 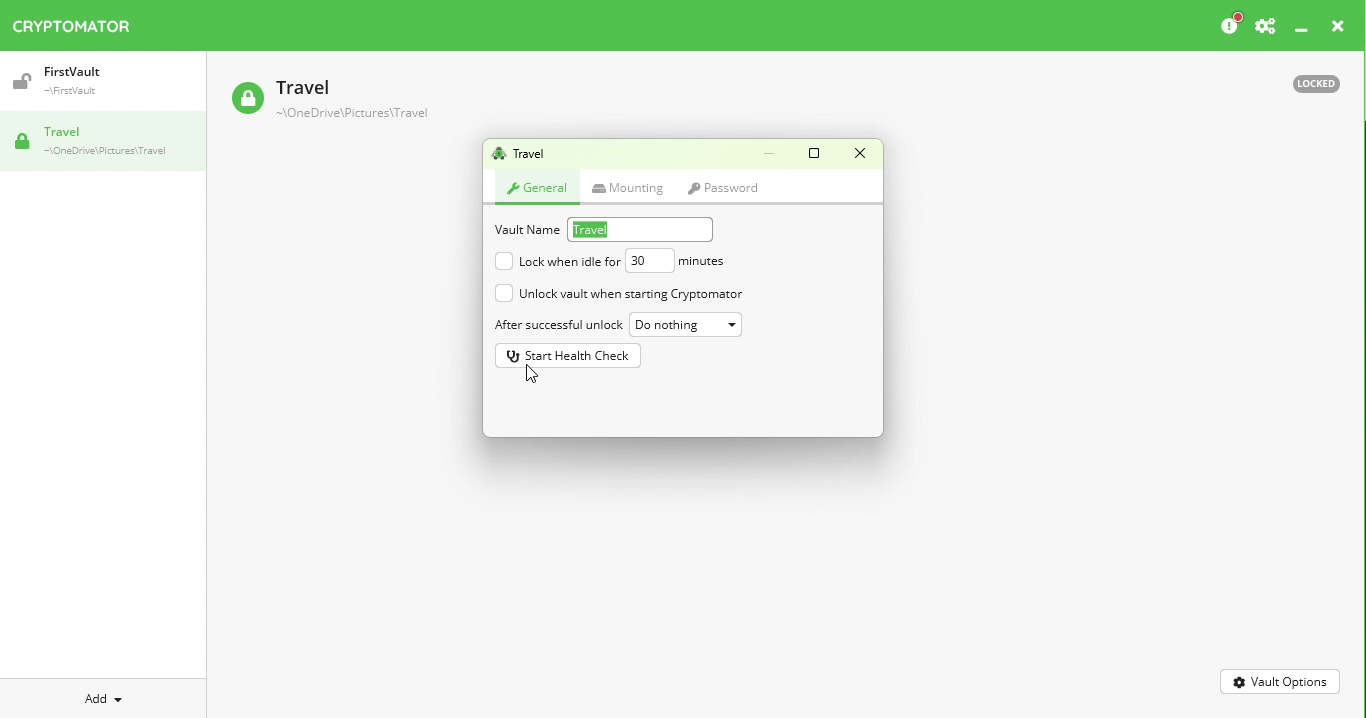 I want to click on Minimize, so click(x=1301, y=33).